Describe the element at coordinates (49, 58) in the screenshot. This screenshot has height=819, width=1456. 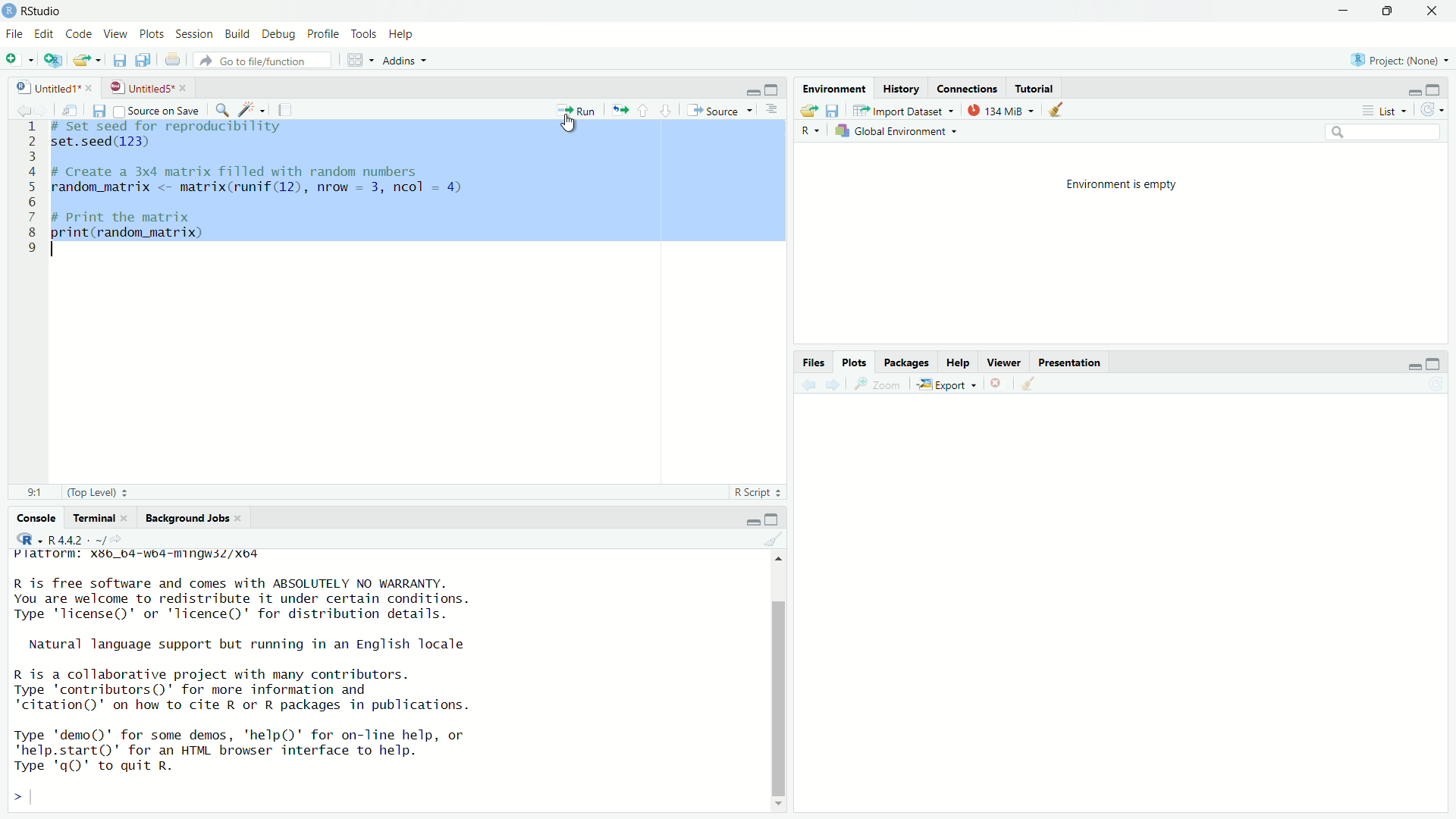
I see `add script` at that location.